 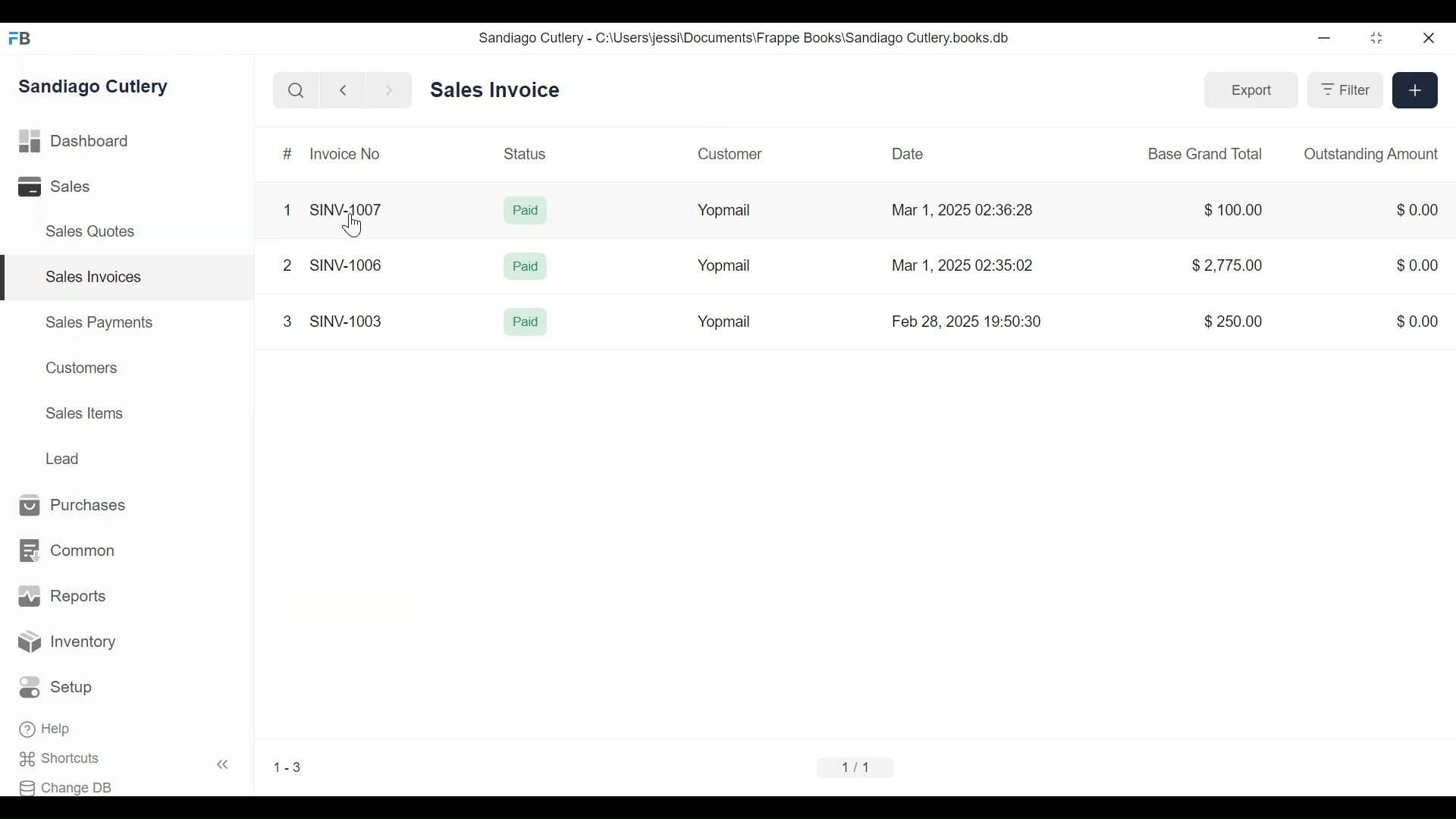 What do you see at coordinates (94, 85) in the screenshot?
I see `Sandiago Cutlery` at bounding box center [94, 85].